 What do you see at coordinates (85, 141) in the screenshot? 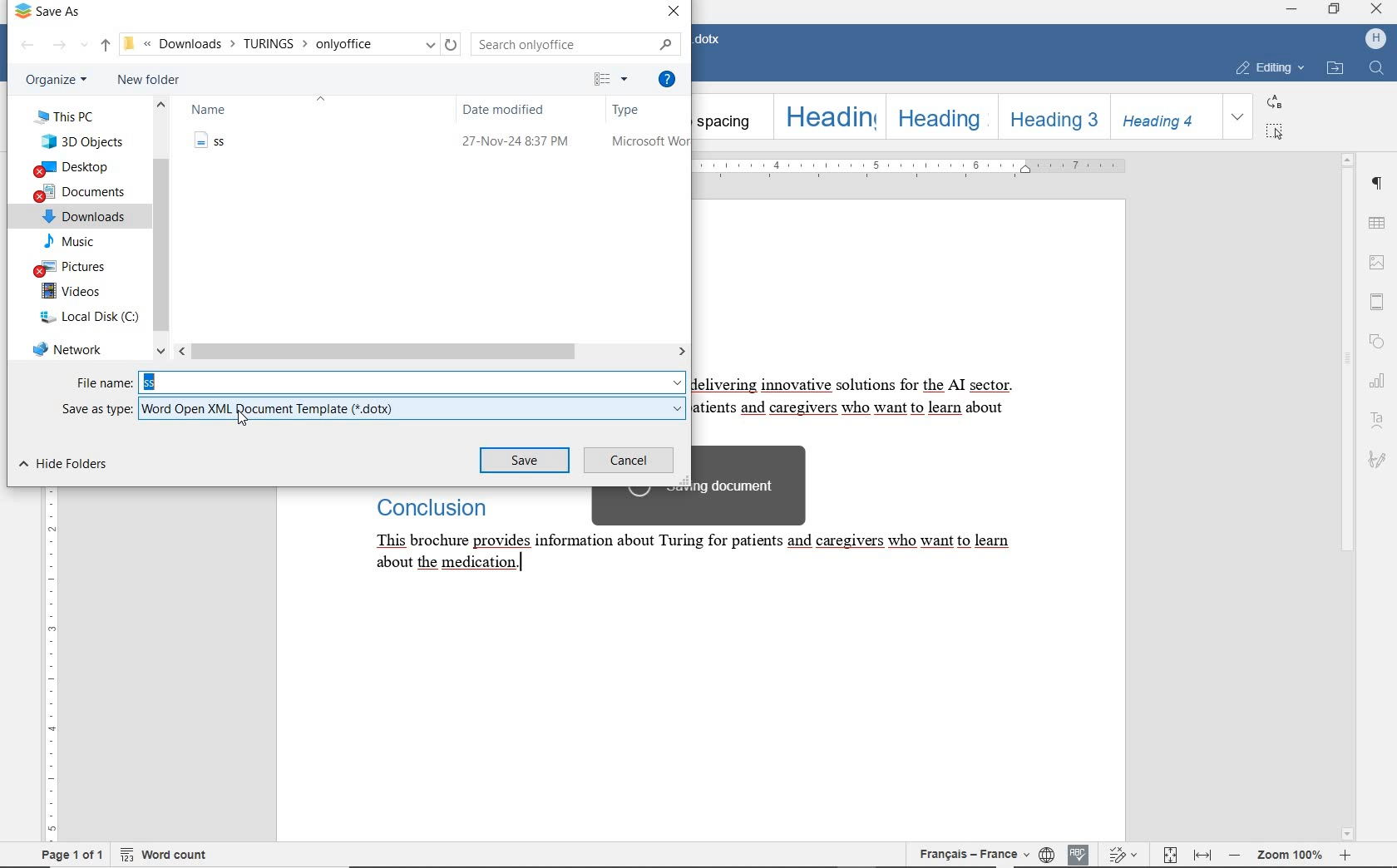
I see `3D OBJECTS` at bounding box center [85, 141].